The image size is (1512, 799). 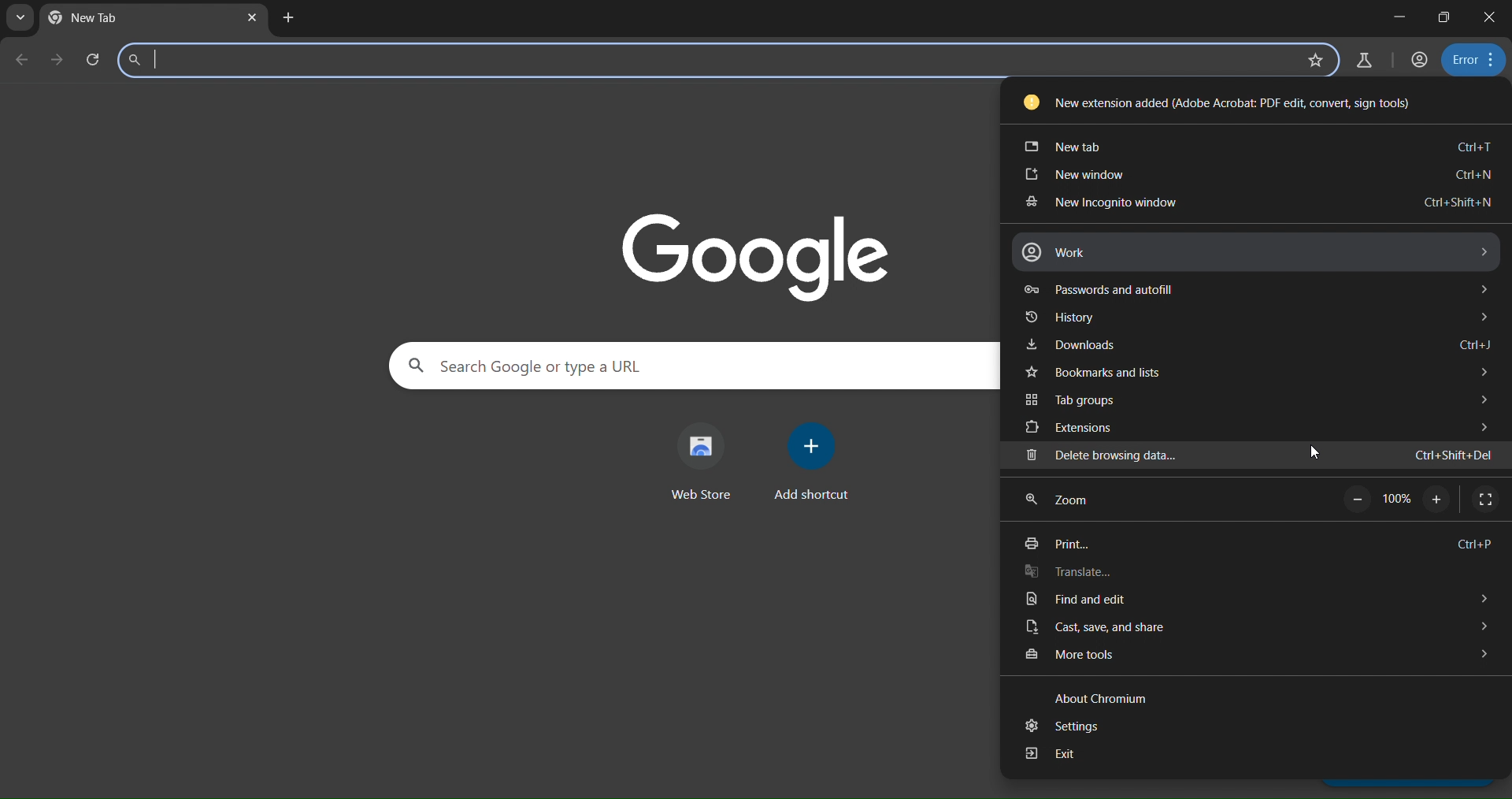 What do you see at coordinates (254, 16) in the screenshot?
I see `close tab` at bounding box center [254, 16].